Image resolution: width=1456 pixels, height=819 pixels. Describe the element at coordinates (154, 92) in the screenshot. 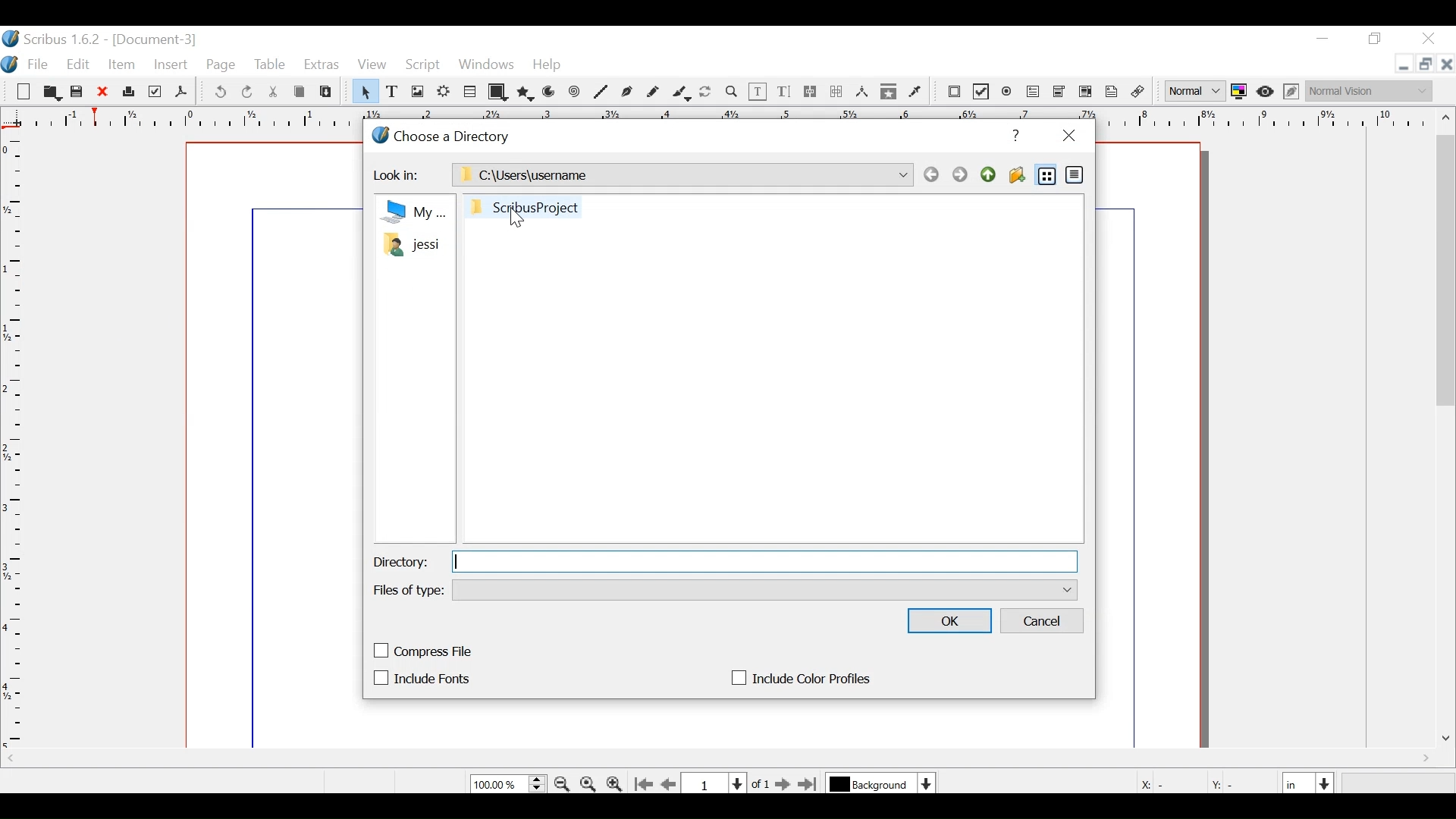

I see `Preflight Verifier` at that location.